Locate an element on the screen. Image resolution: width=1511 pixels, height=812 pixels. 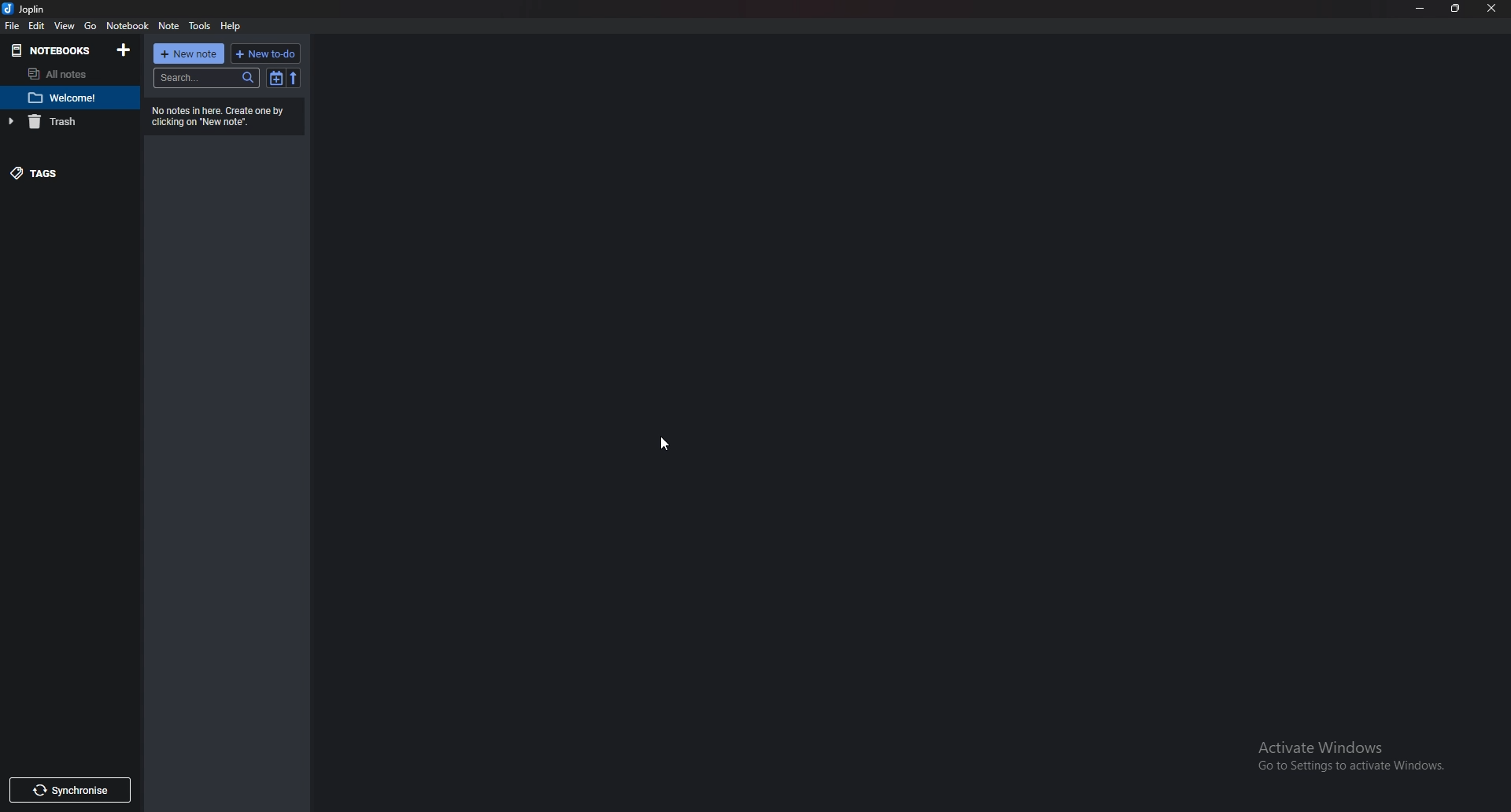
note is located at coordinates (168, 26).